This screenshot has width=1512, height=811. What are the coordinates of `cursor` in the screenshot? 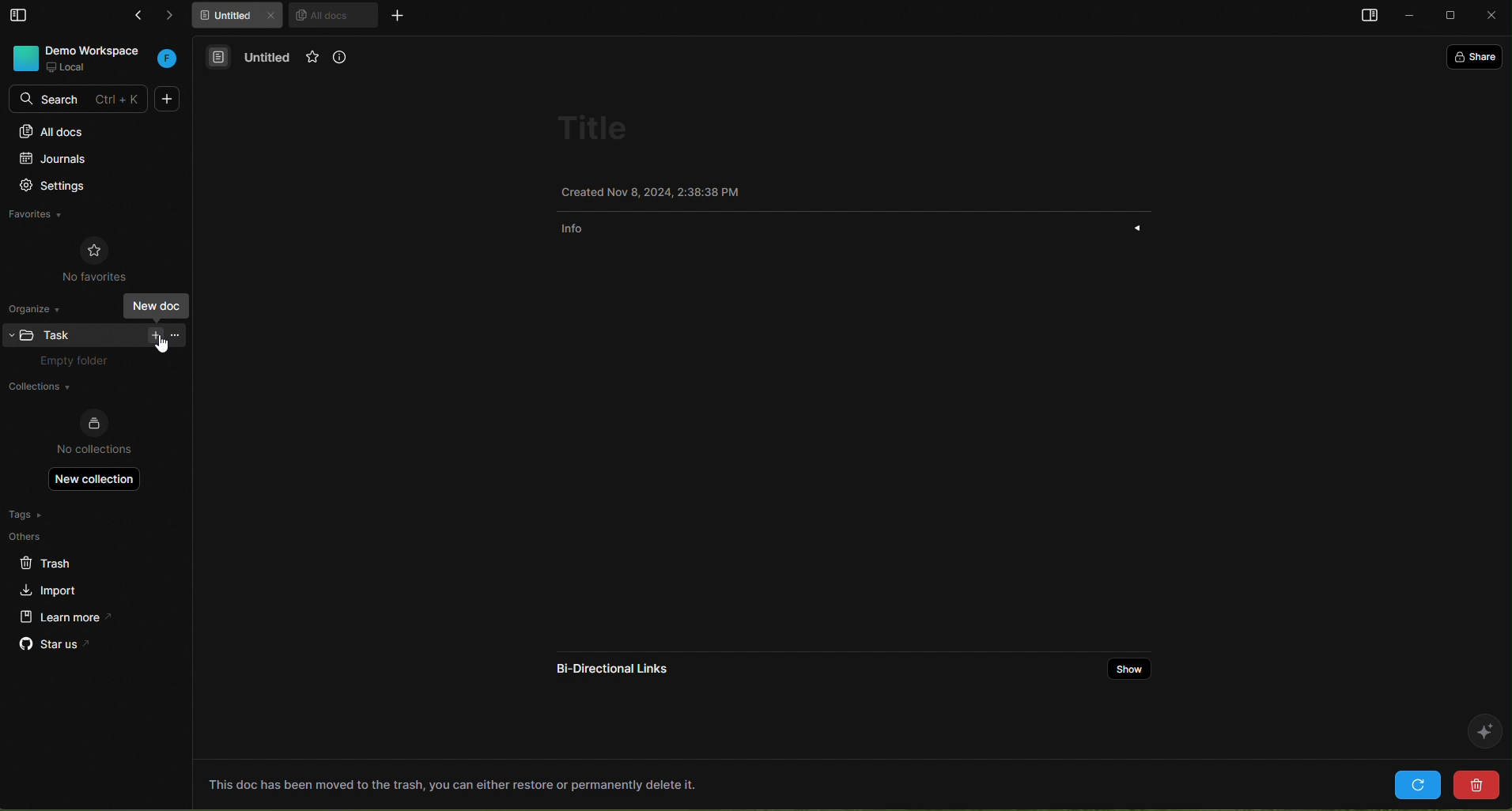 It's located at (163, 344).